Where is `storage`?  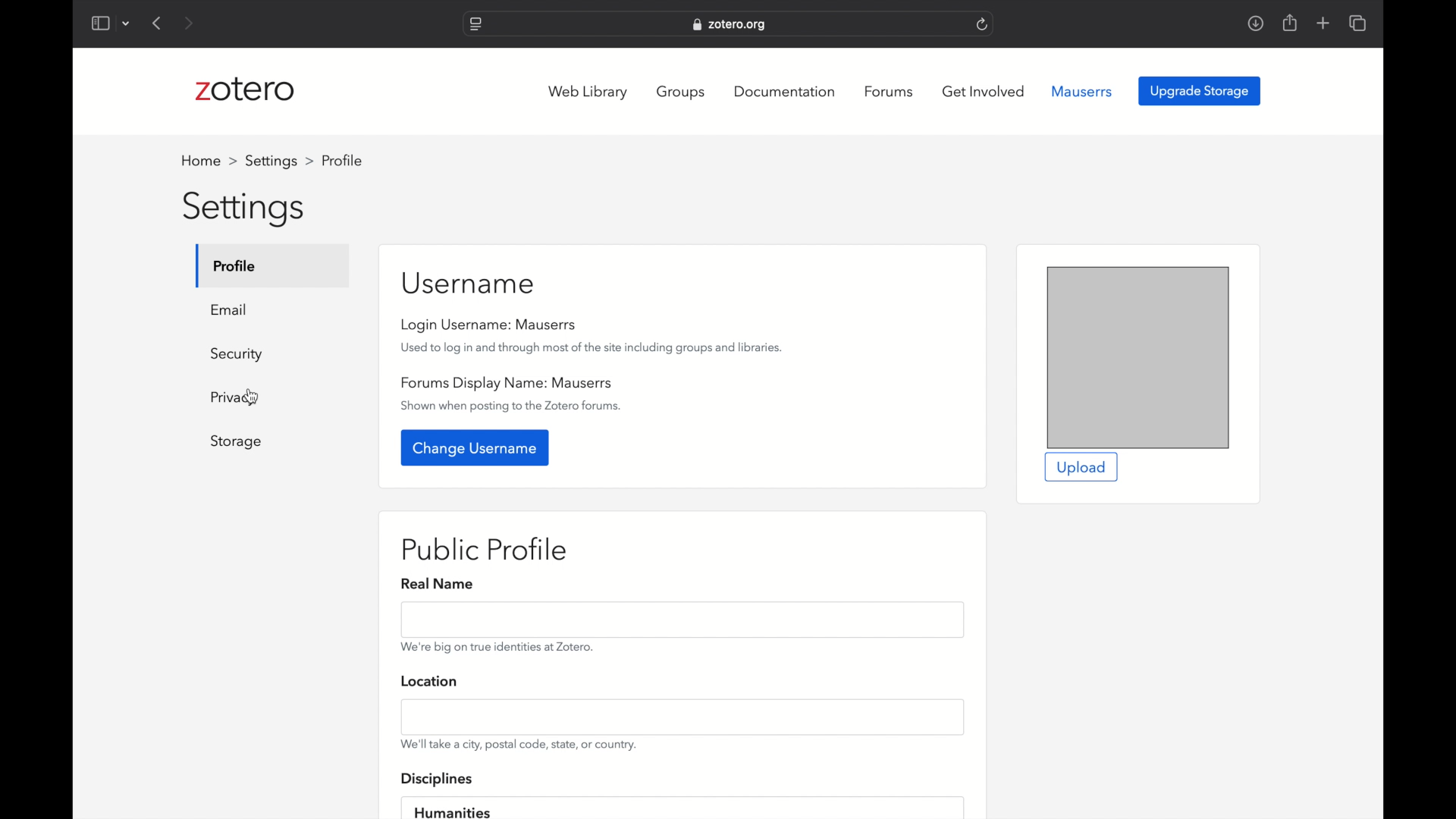
storage is located at coordinates (237, 442).